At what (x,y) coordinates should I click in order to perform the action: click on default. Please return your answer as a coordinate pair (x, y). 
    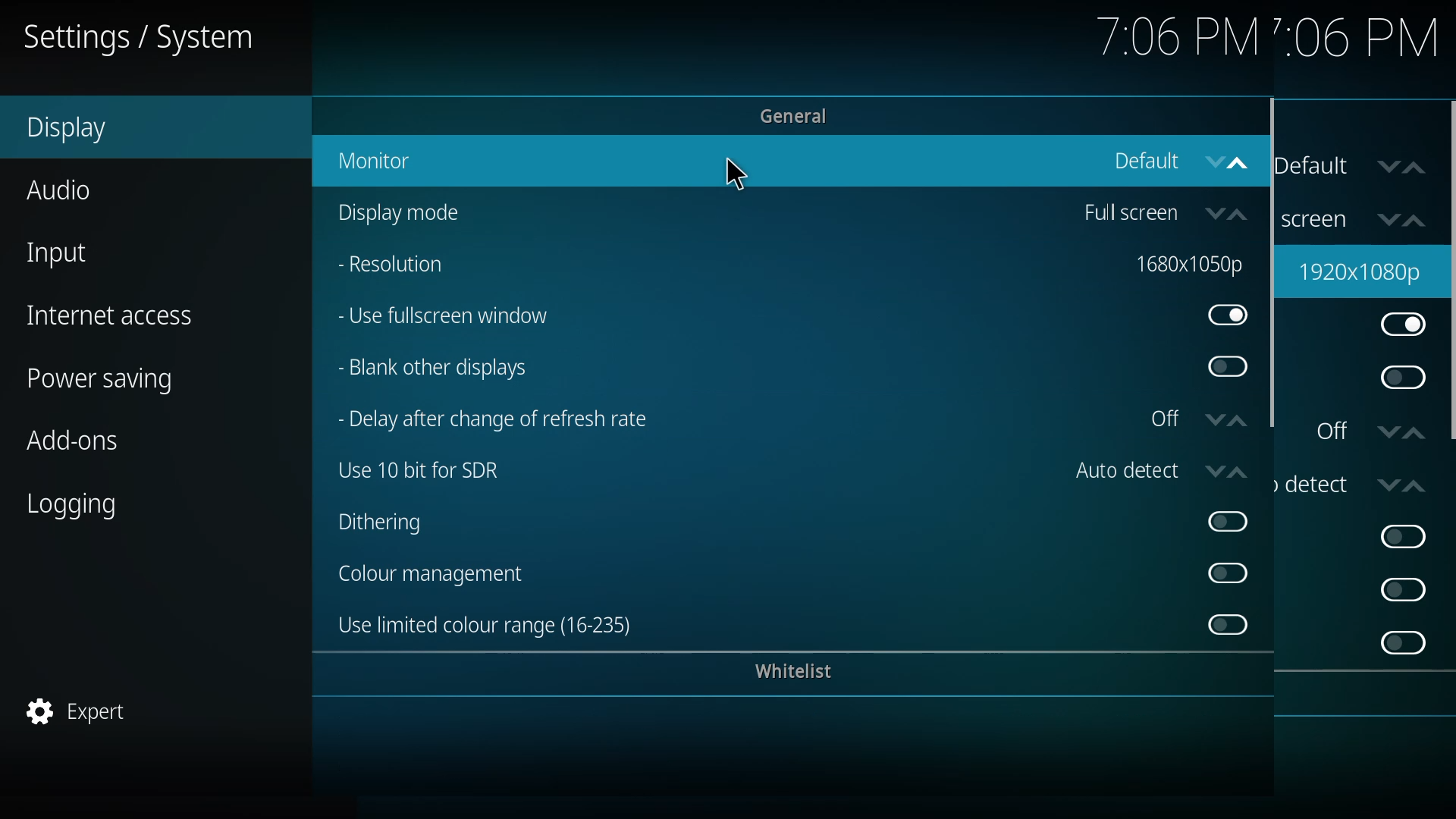
    Looking at the image, I should click on (1179, 162).